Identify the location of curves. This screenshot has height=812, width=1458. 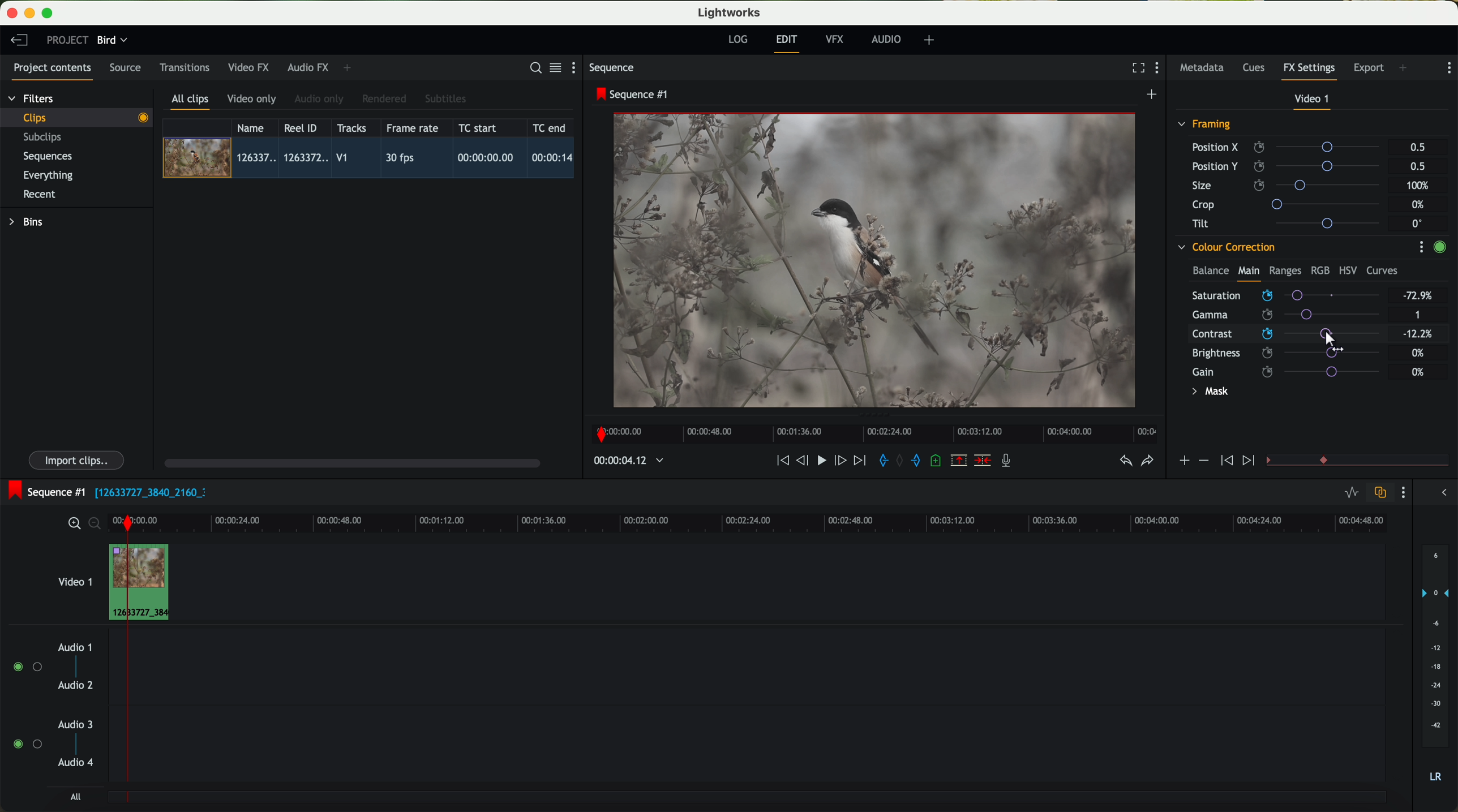
(1382, 271).